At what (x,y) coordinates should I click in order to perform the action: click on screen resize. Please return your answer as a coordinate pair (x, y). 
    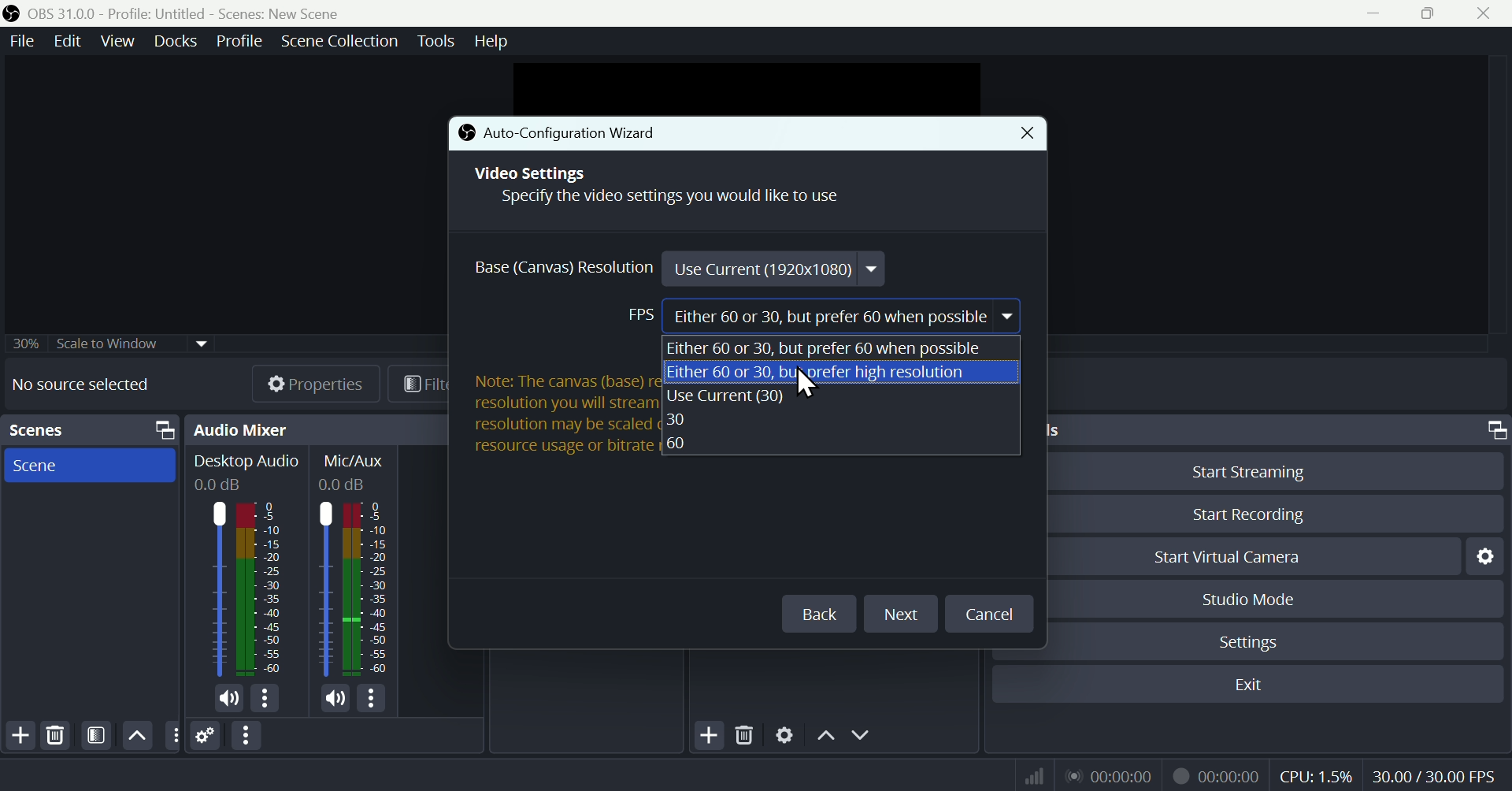
    Looking at the image, I should click on (160, 430).